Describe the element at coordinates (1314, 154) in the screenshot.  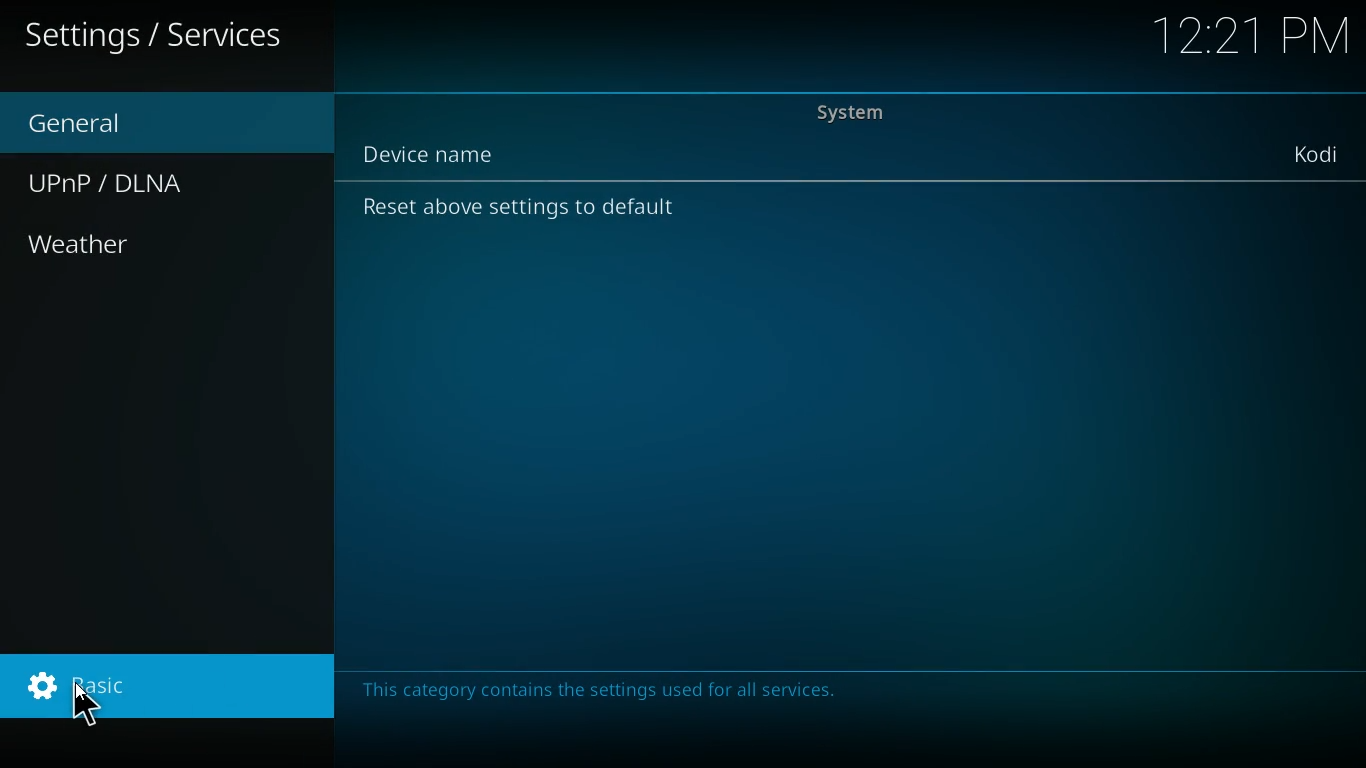
I see `device name` at that location.